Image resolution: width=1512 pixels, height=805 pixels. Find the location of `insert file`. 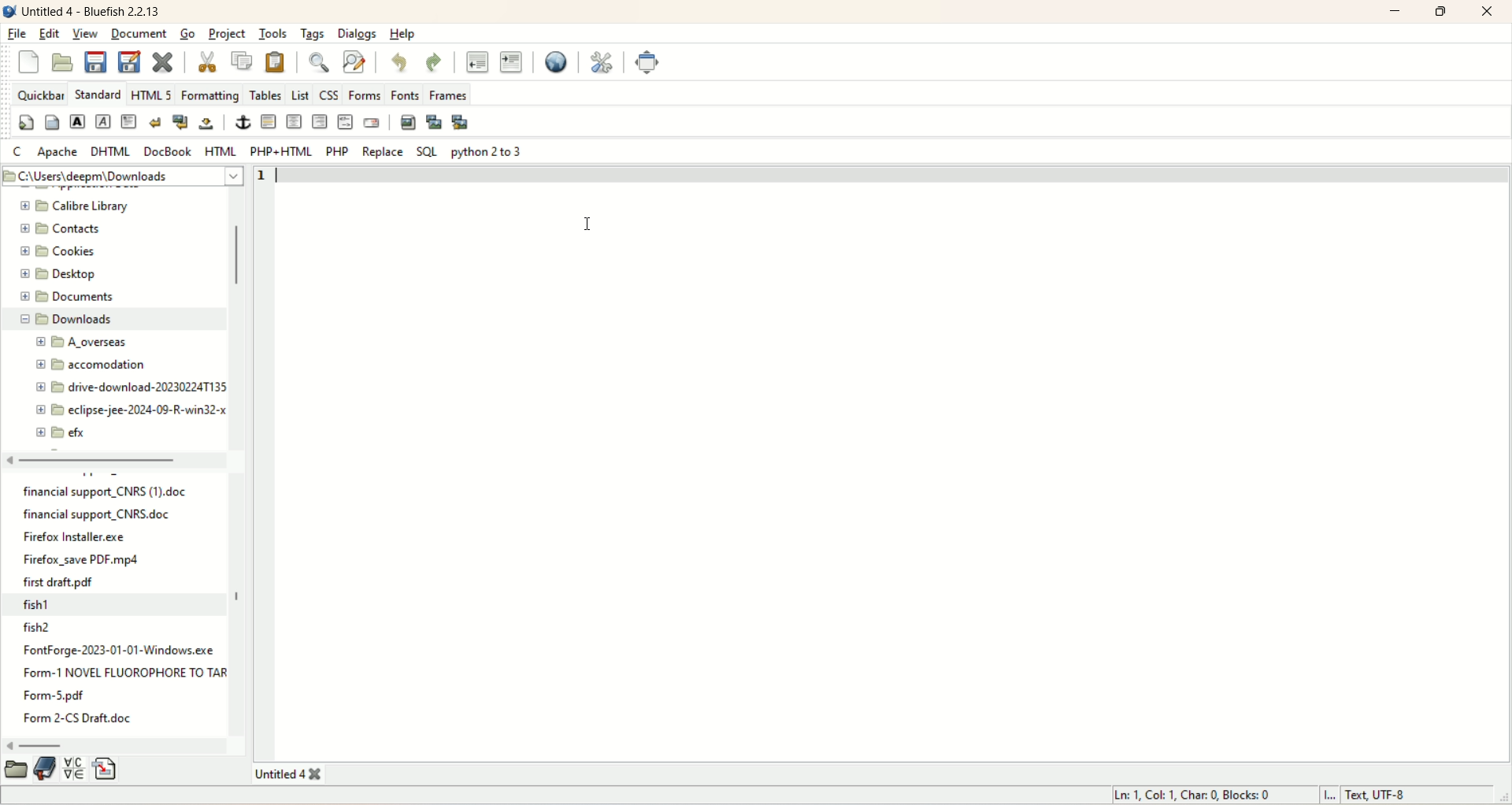

insert file is located at coordinates (107, 770).